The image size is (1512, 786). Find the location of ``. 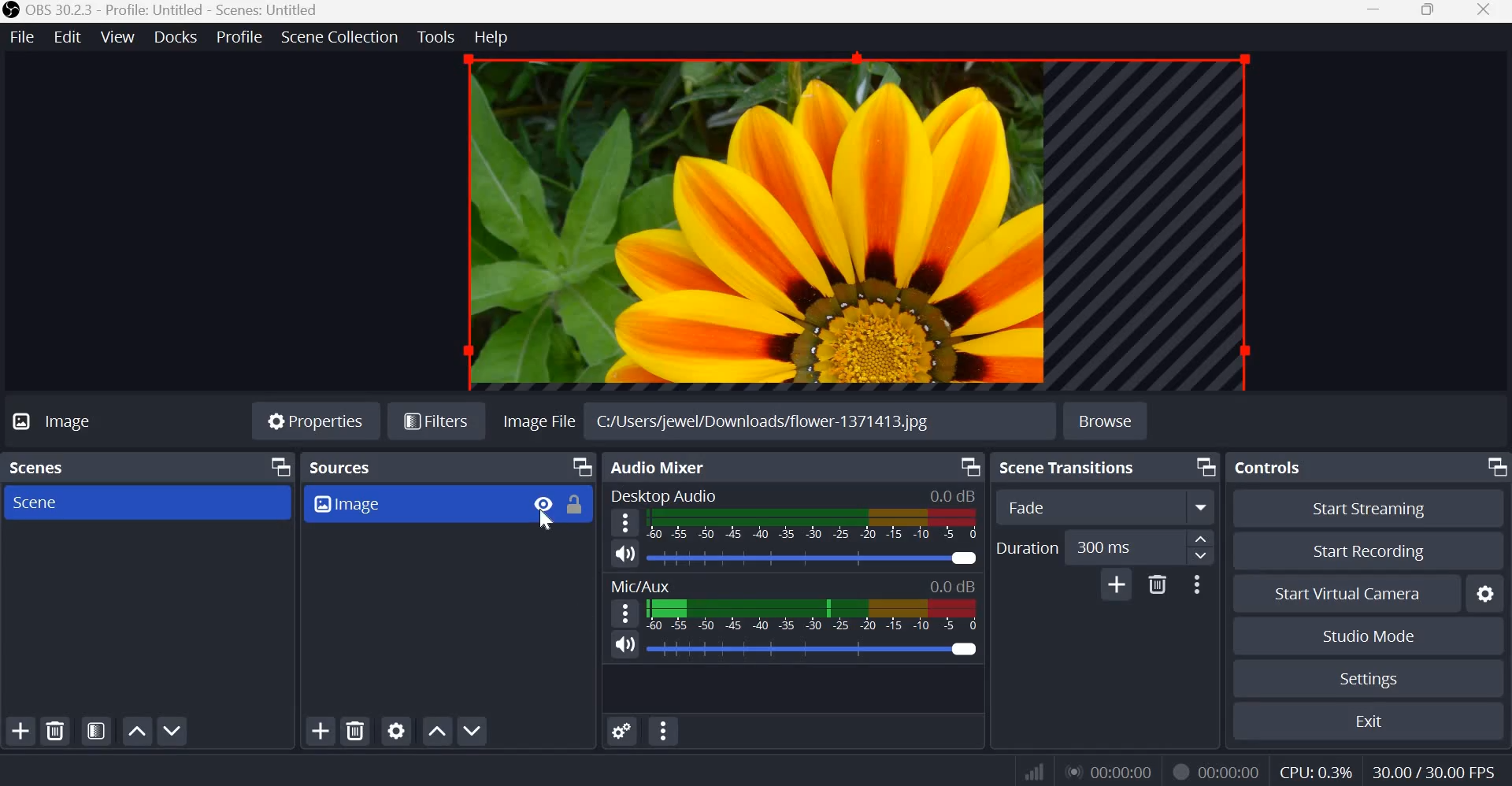

 is located at coordinates (662, 730).